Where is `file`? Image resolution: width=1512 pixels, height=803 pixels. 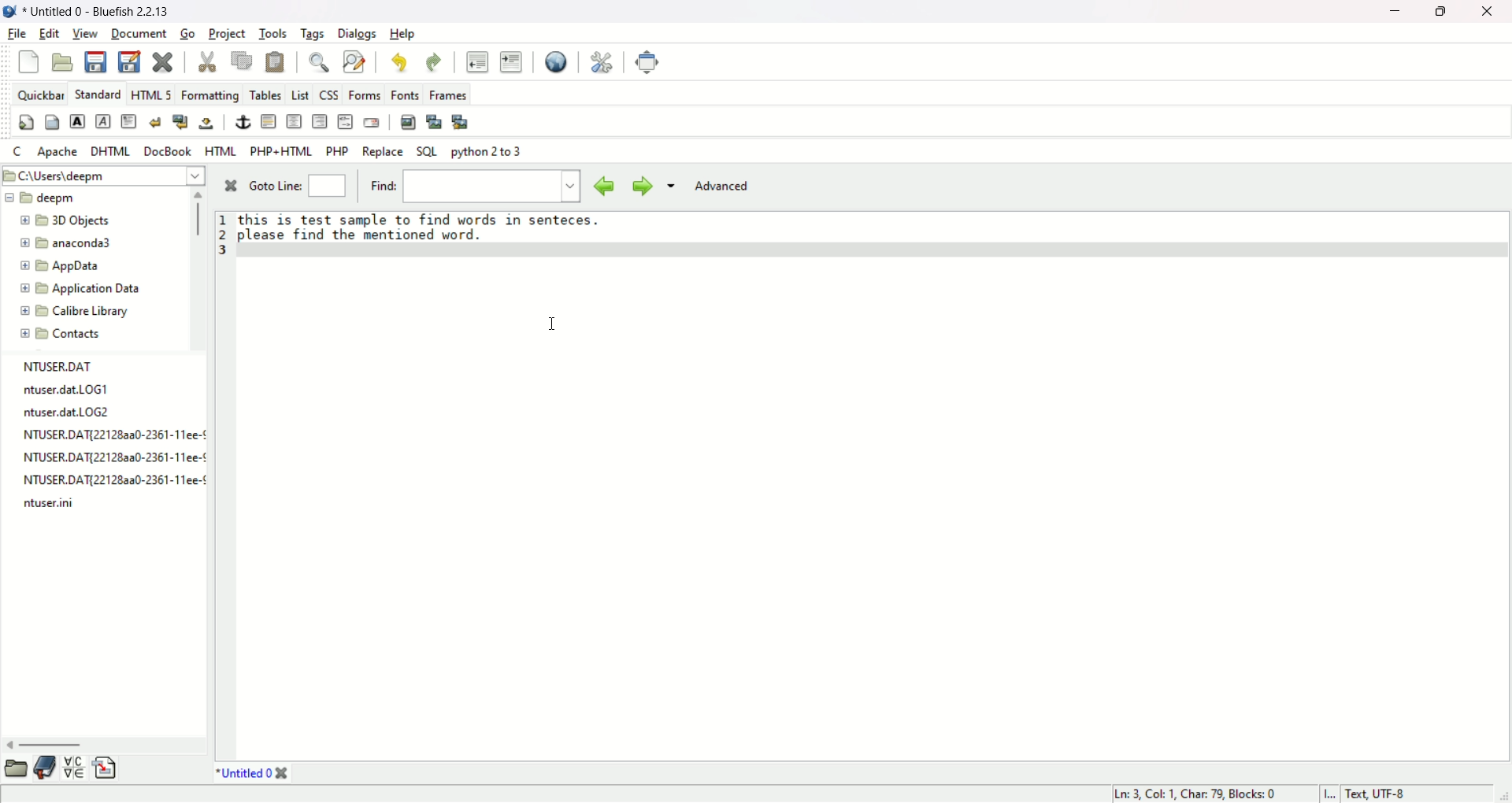
file is located at coordinates (16, 34).